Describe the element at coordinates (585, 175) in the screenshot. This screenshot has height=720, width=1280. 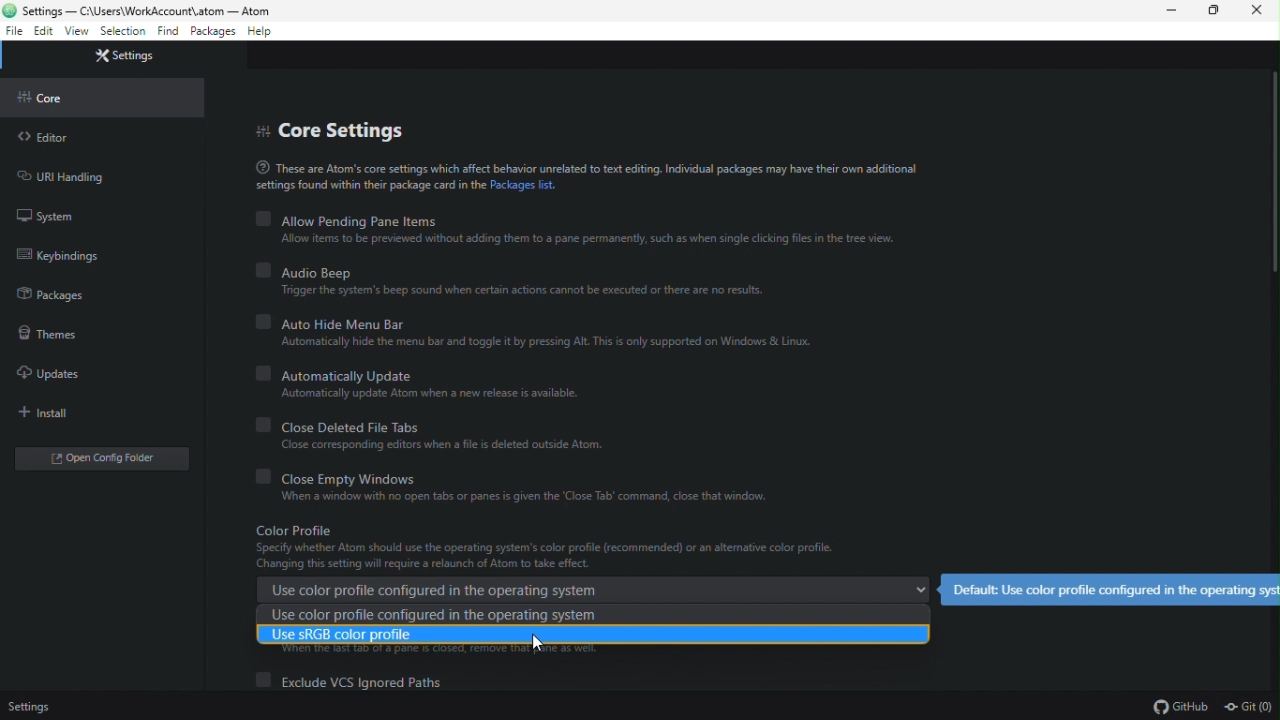
I see `text` at that location.